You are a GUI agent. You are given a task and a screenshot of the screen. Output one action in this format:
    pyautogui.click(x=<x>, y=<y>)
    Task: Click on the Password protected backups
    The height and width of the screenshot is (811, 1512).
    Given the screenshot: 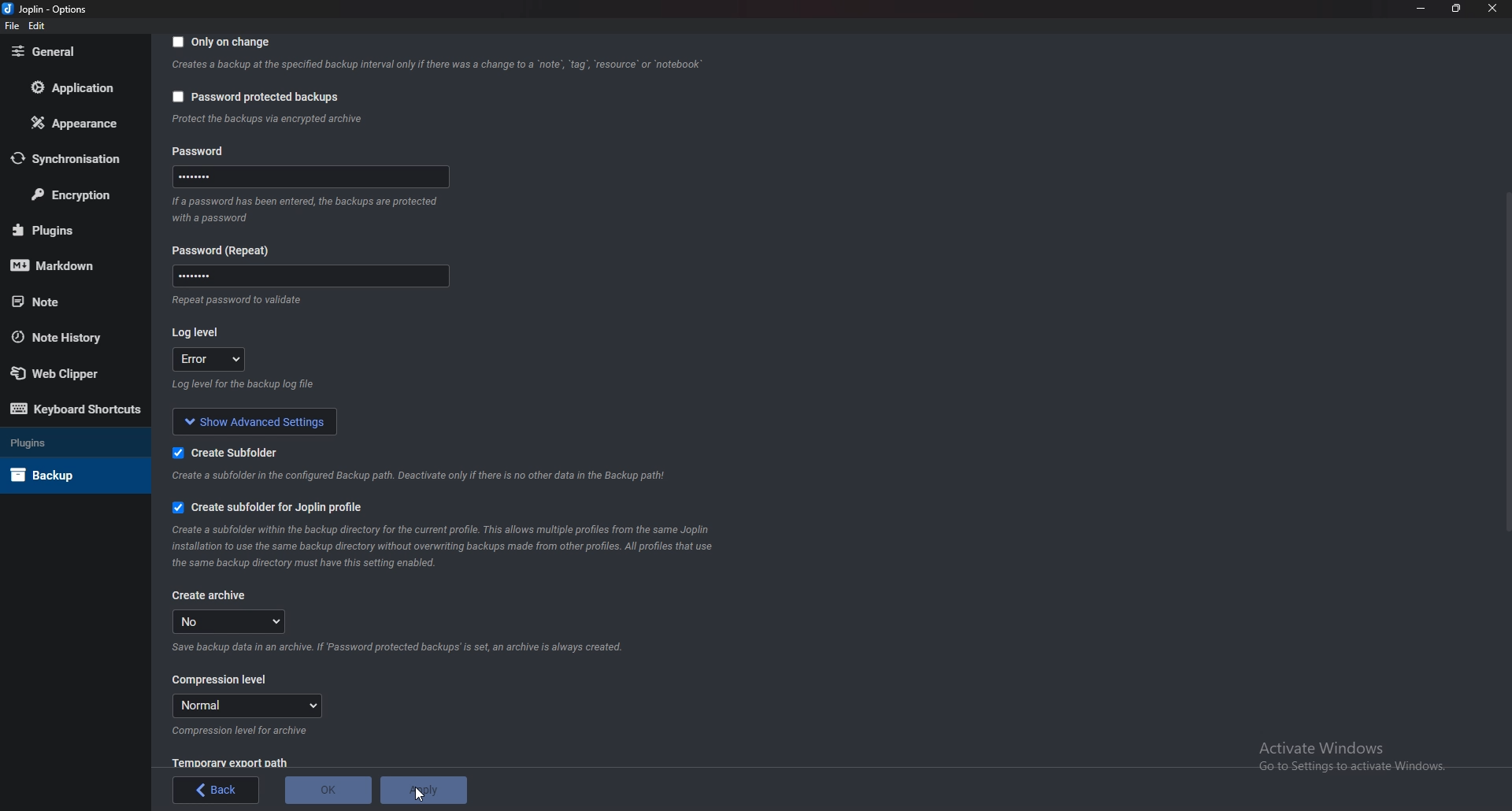 What is the action you would take?
    pyautogui.click(x=255, y=97)
    